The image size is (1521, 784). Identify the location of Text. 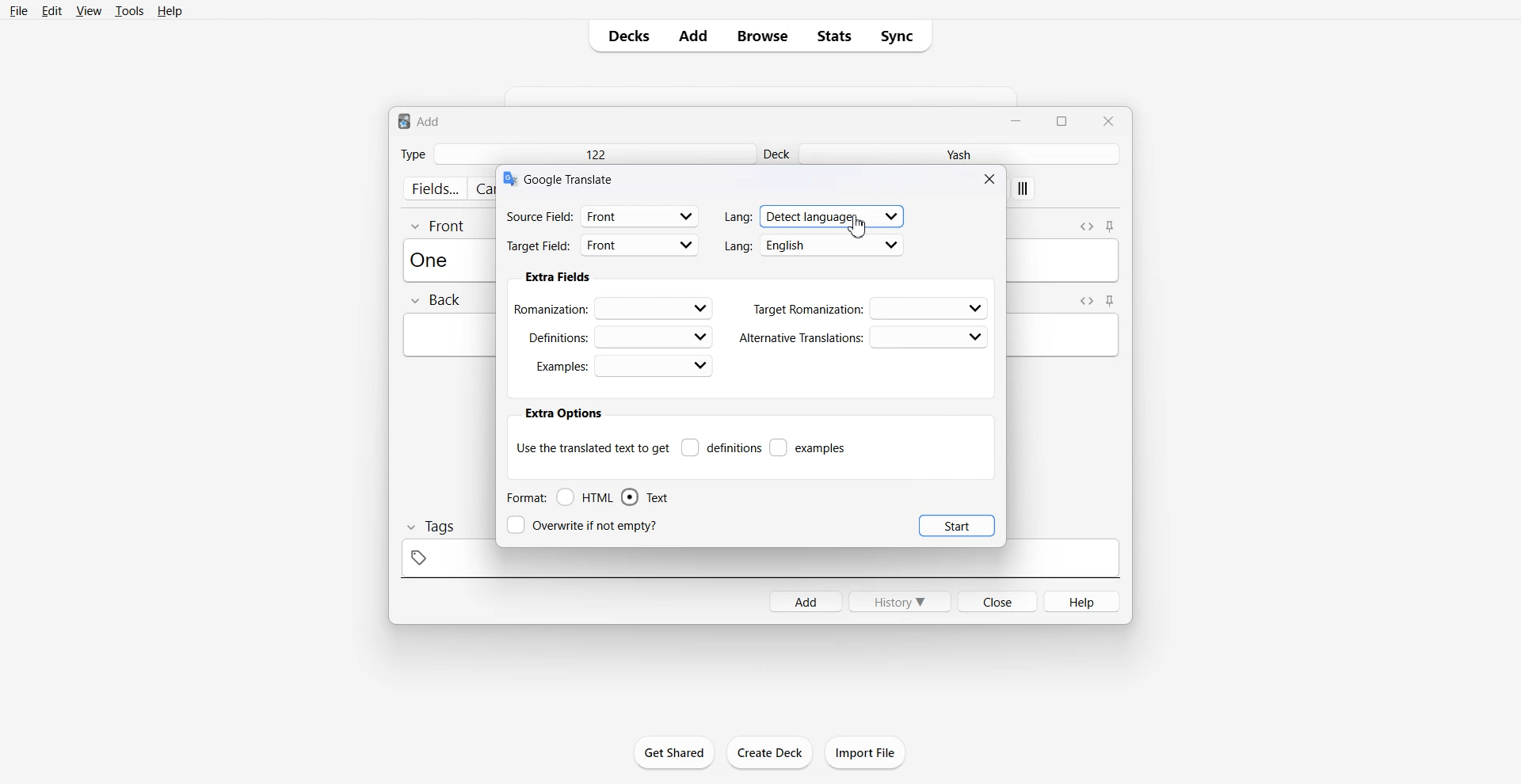
(571, 178).